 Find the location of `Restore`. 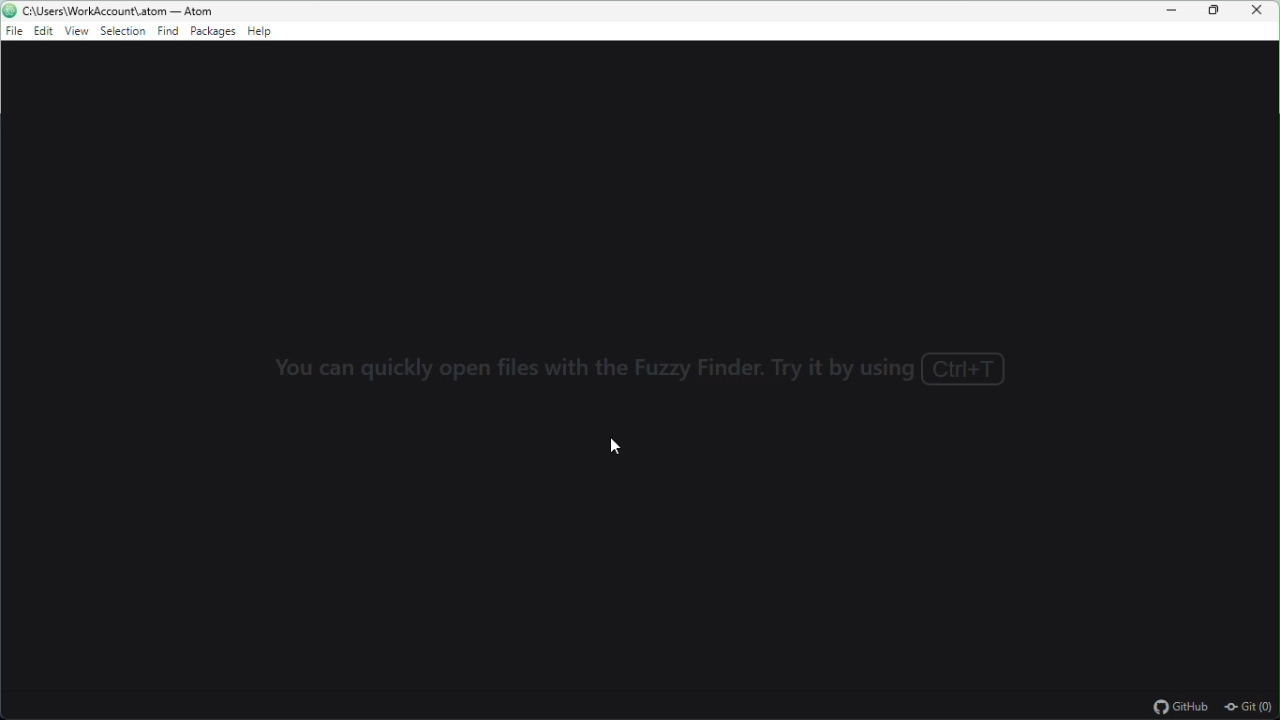

Restore is located at coordinates (1217, 11).